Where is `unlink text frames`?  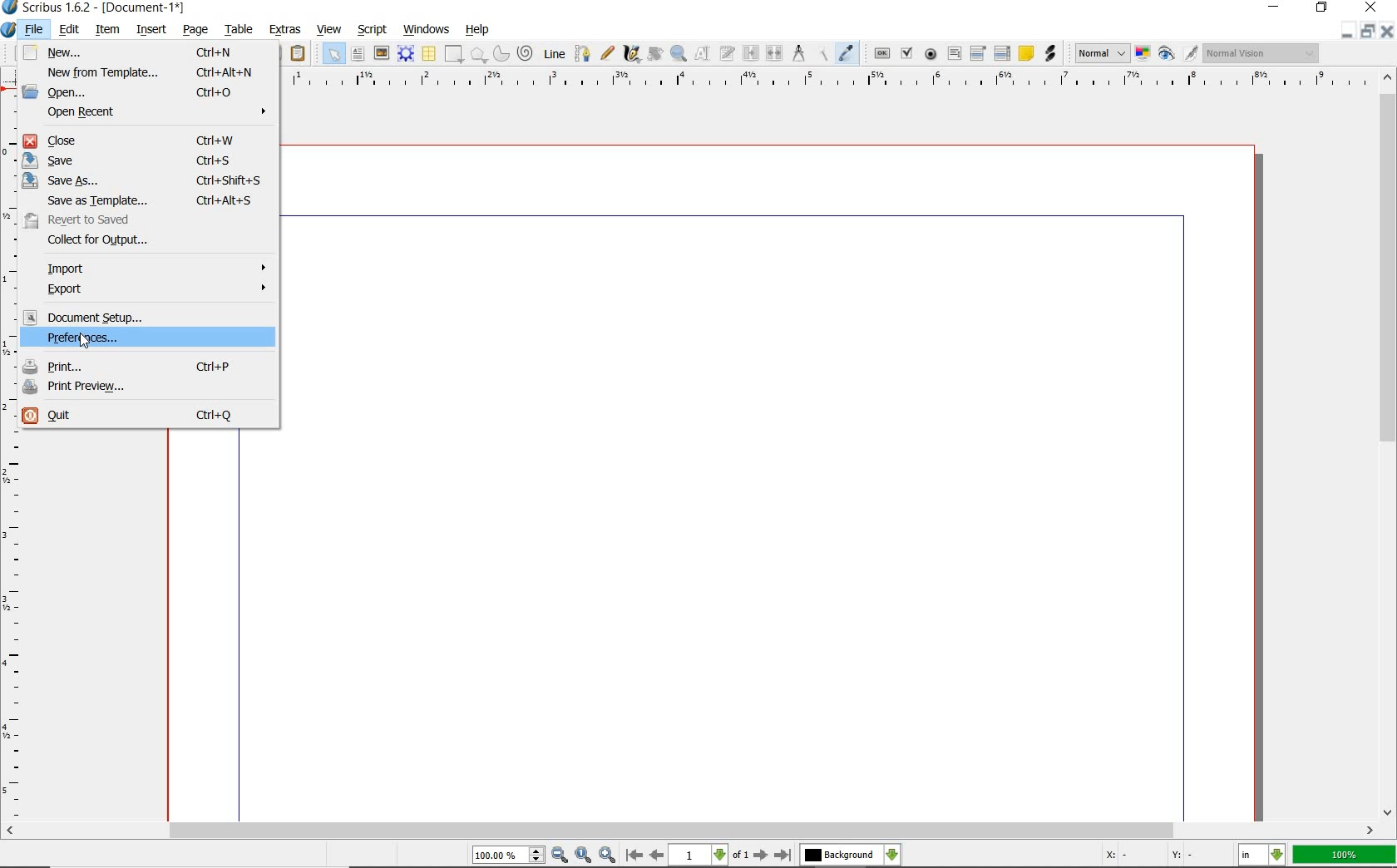 unlink text frames is located at coordinates (774, 53).